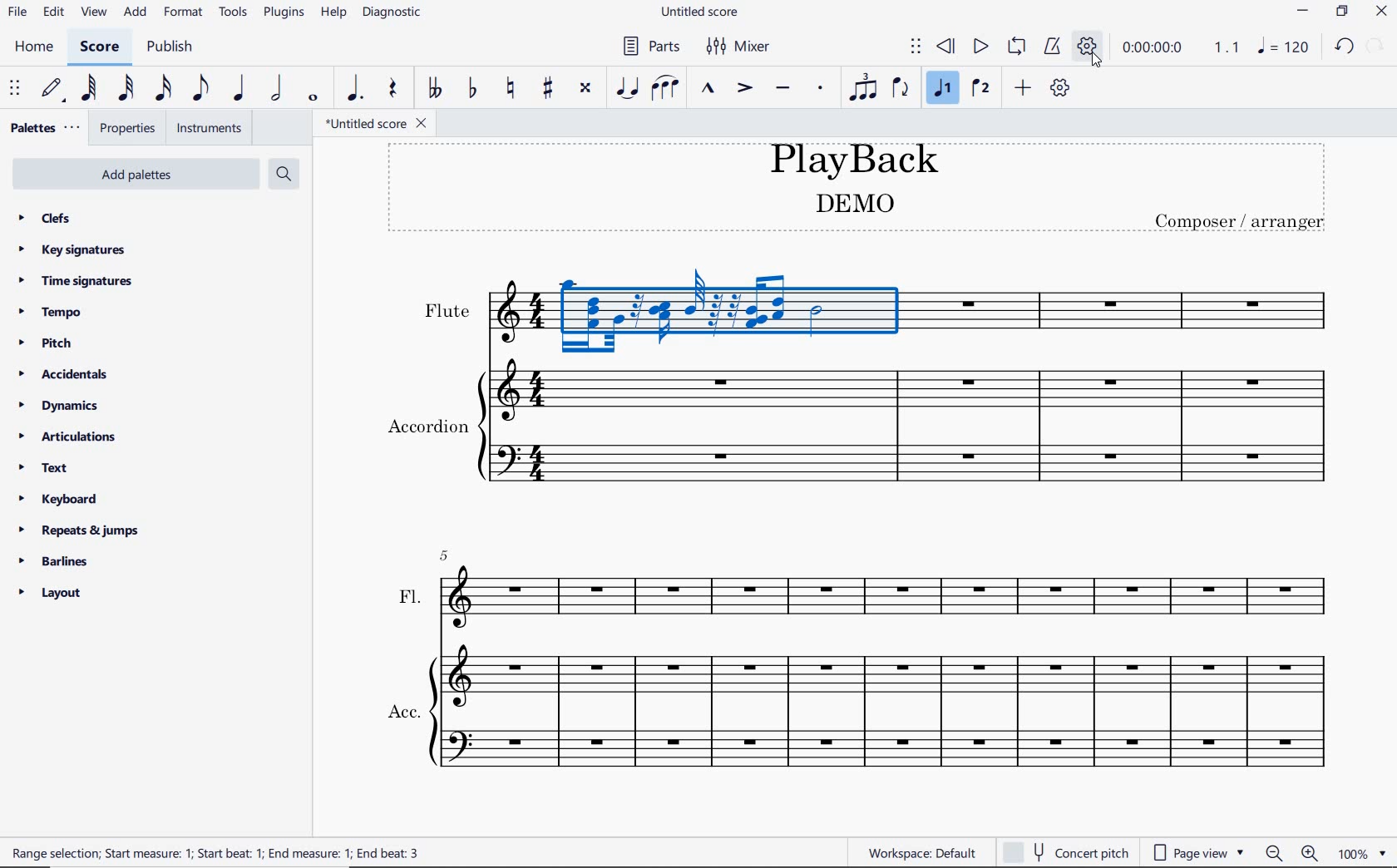  What do you see at coordinates (66, 376) in the screenshot?
I see `accidentals` at bounding box center [66, 376].